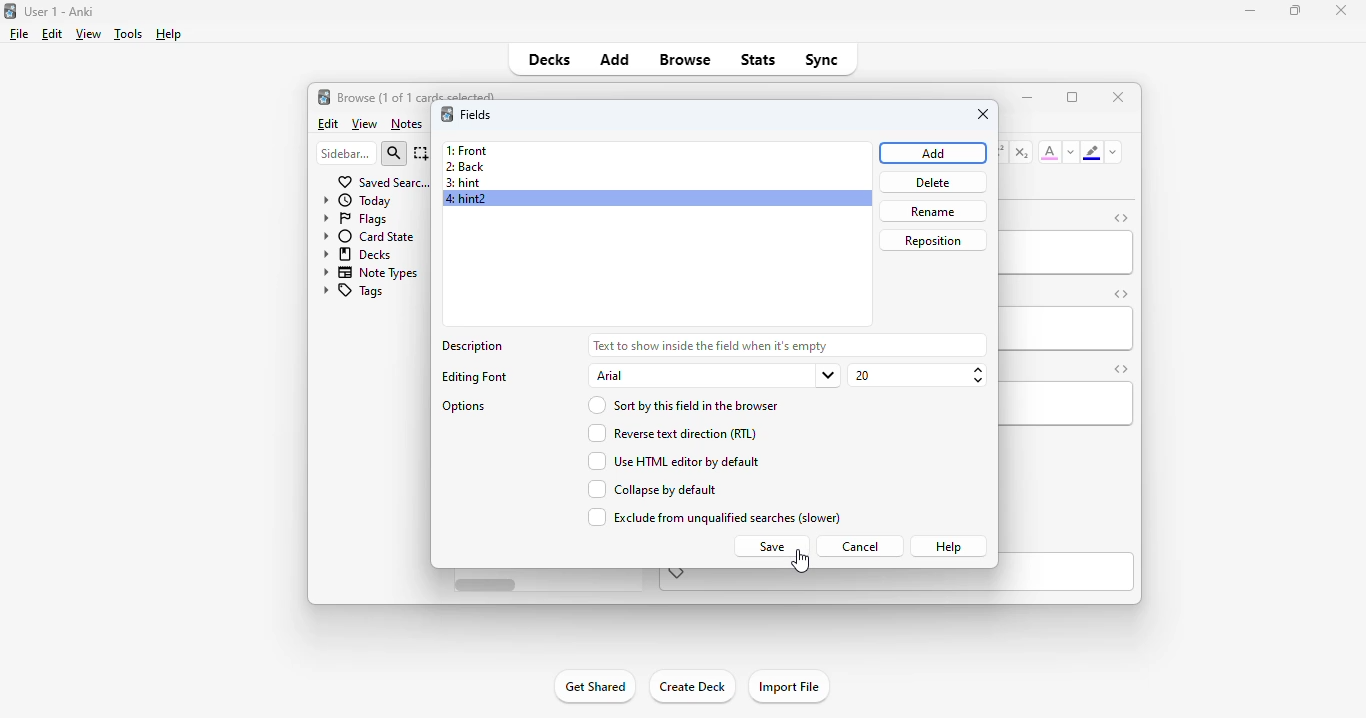 This screenshot has width=1366, height=718. I want to click on file, so click(19, 34).